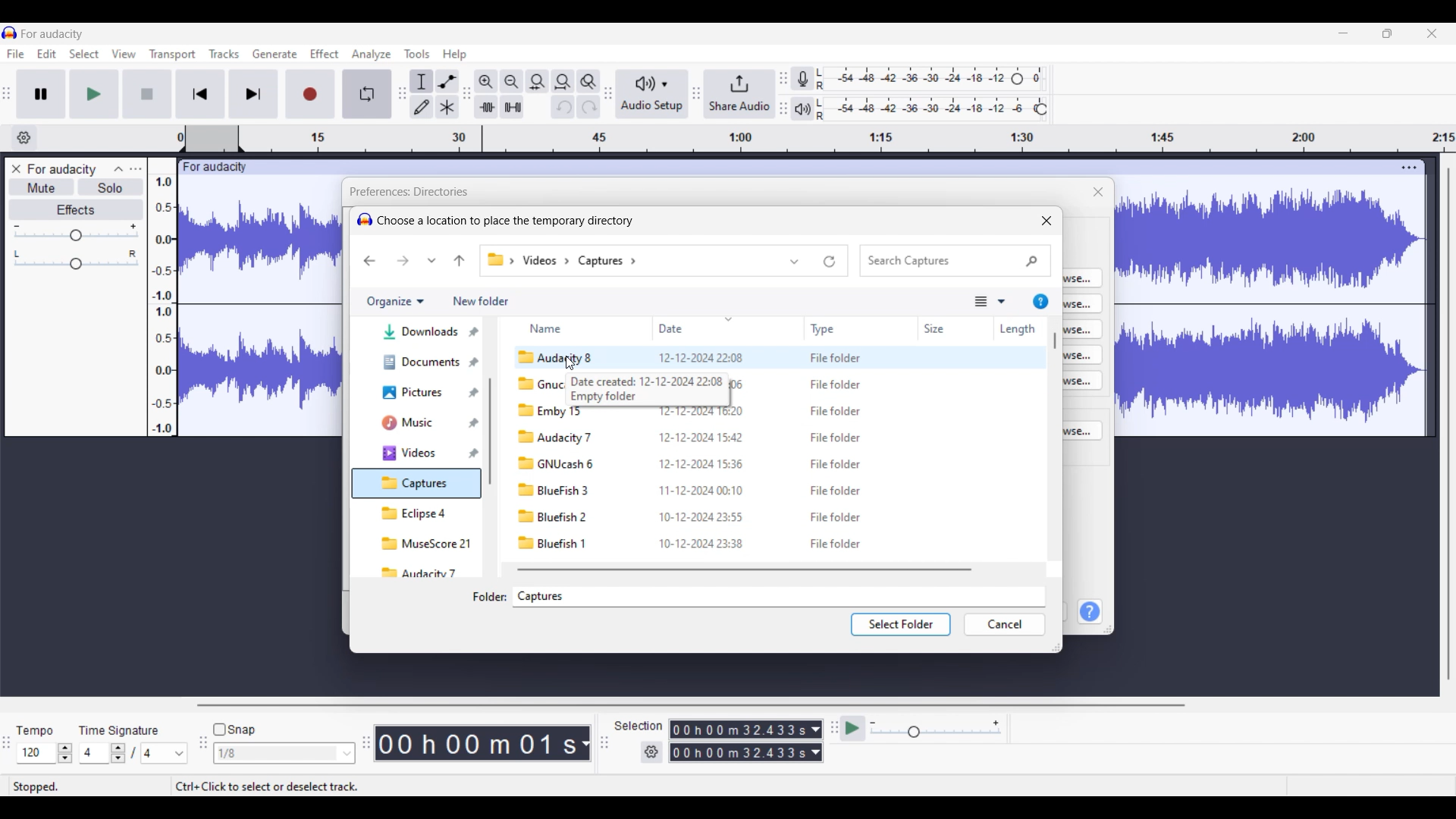 This screenshot has height=819, width=1456. What do you see at coordinates (936, 728) in the screenshot?
I see `Playback speed scale` at bounding box center [936, 728].